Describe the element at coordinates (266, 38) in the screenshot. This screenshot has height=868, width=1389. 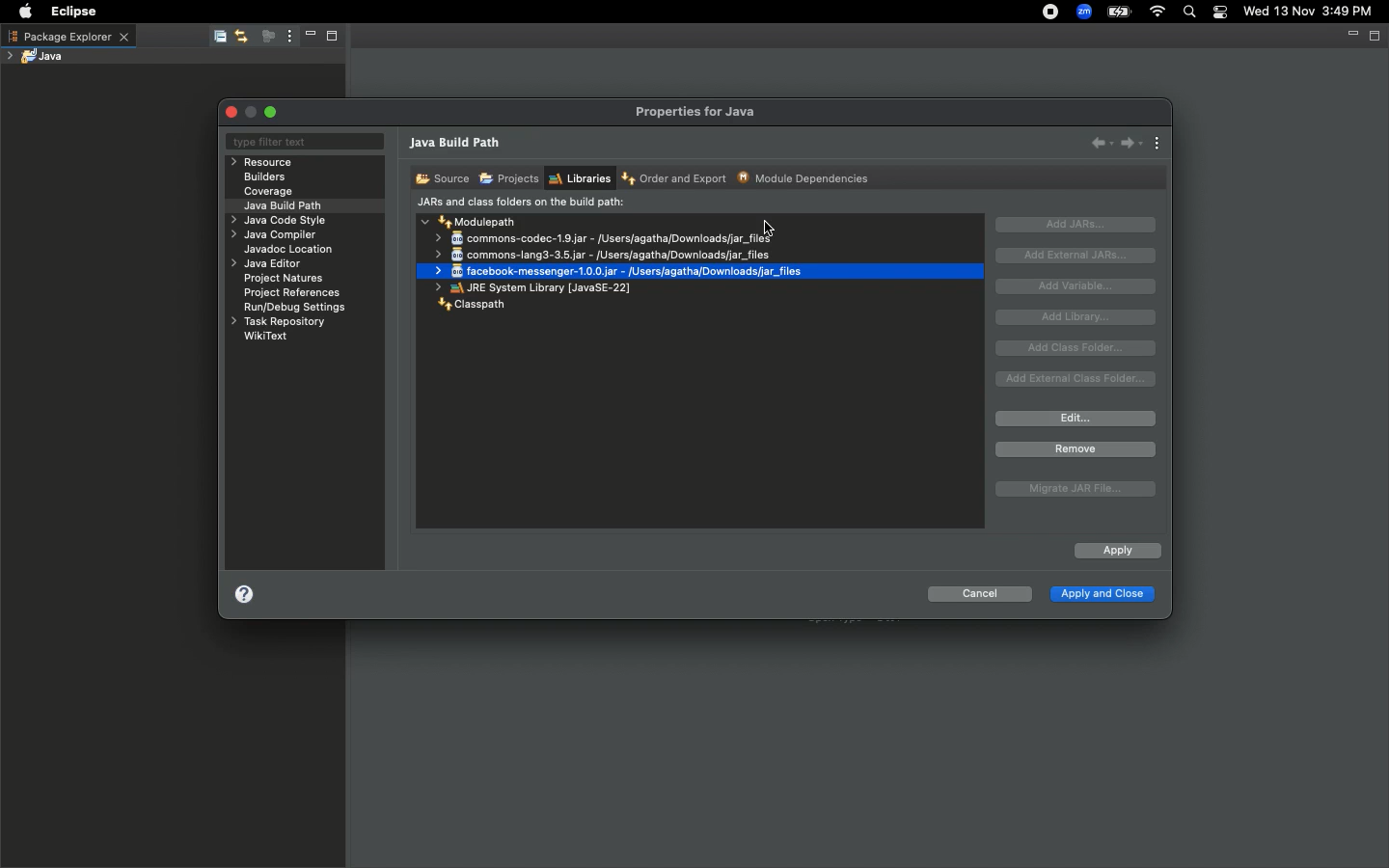
I see `Focus on active task` at that location.